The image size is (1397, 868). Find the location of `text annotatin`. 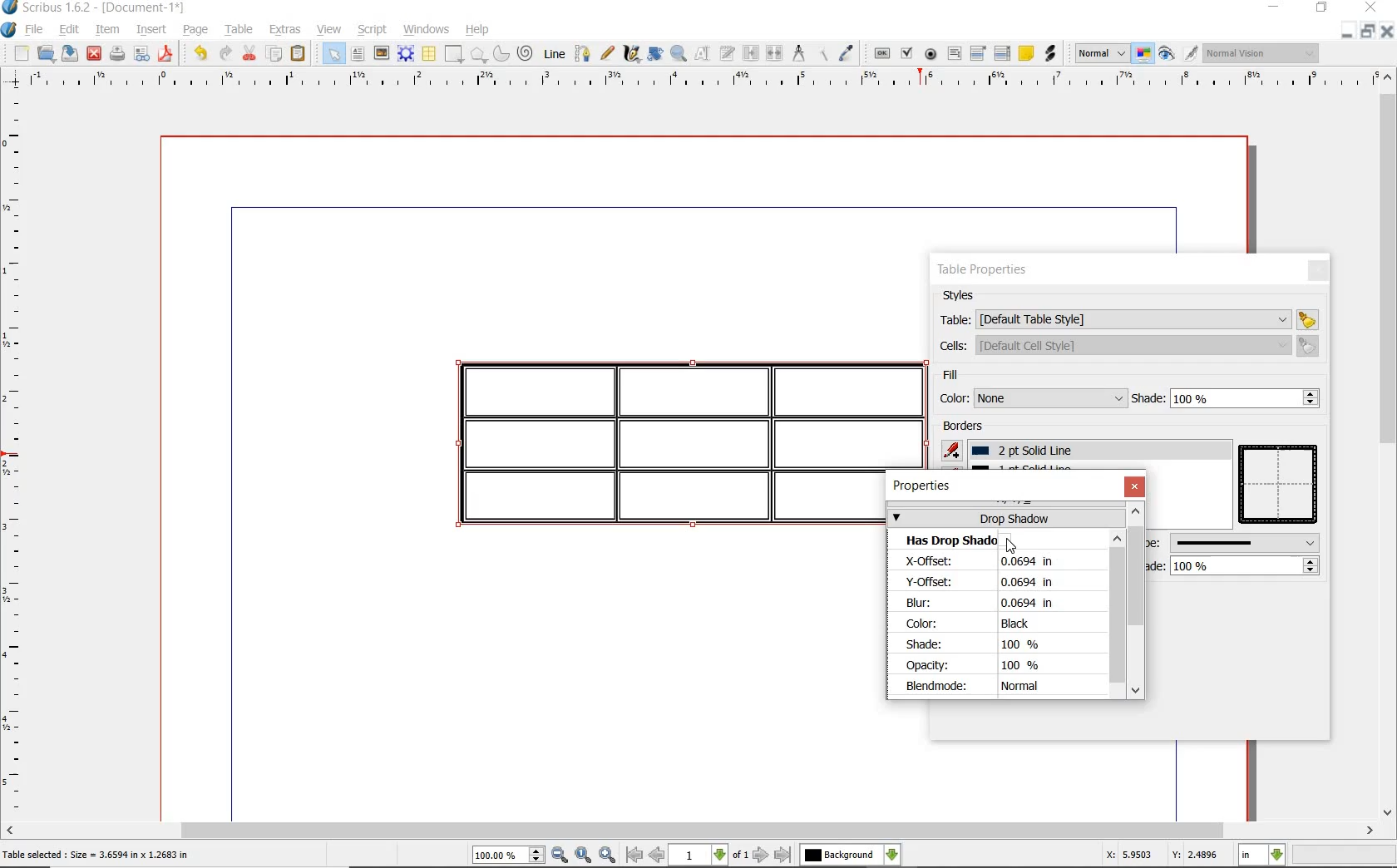

text annotatin is located at coordinates (1026, 52).